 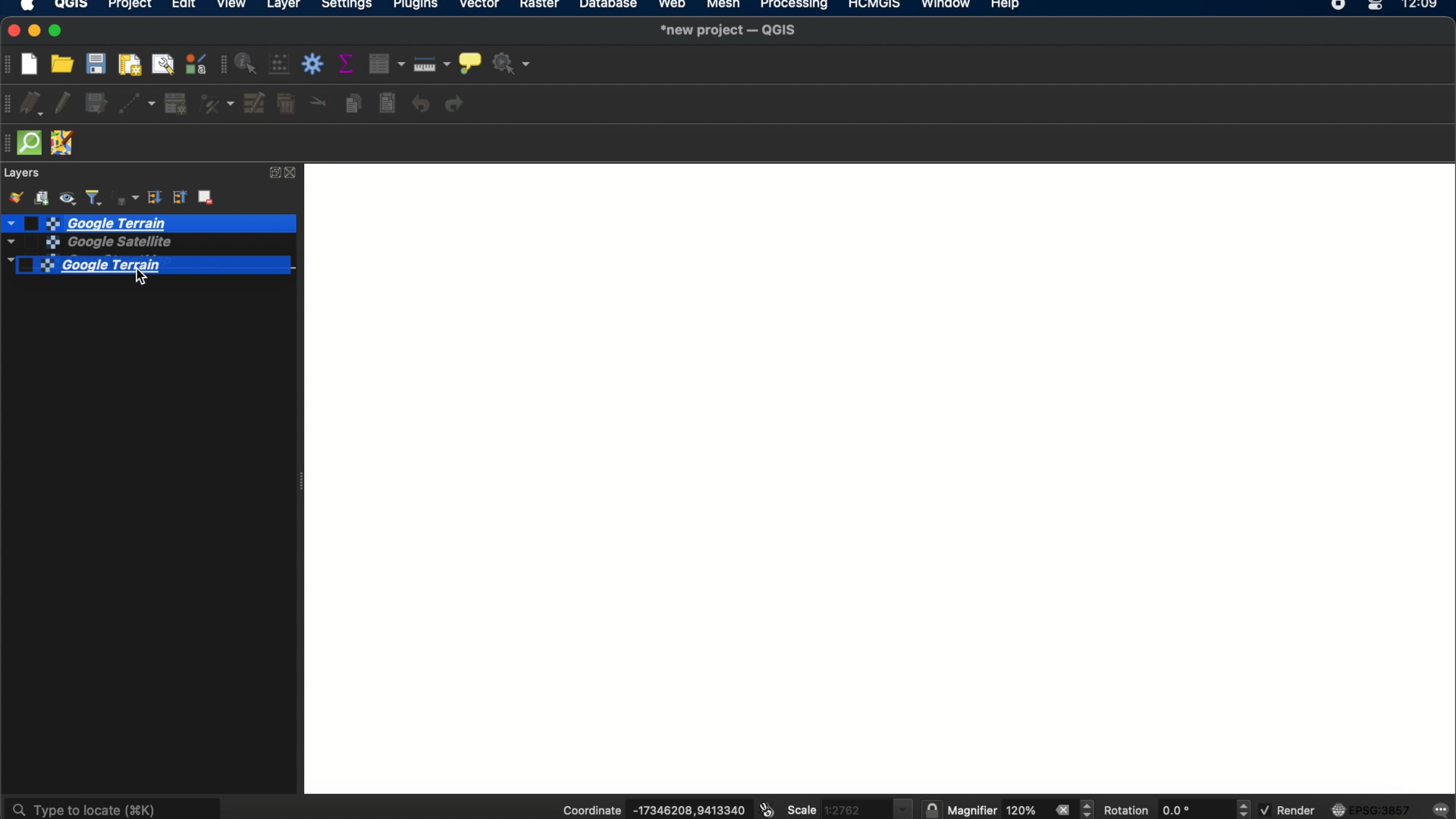 What do you see at coordinates (1062, 810) in the screenshot?
I see `close` at bounding box center [1062, 810].